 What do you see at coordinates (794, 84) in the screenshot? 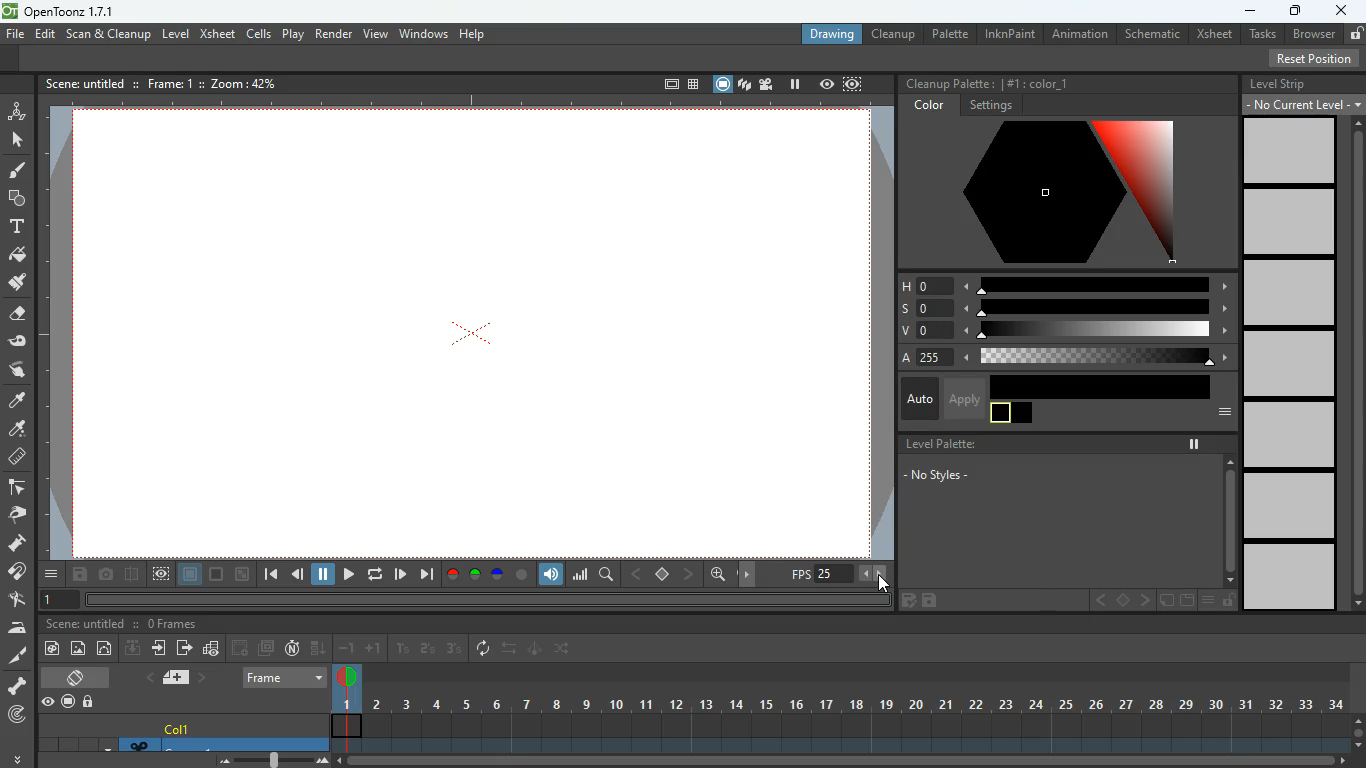
I see `pause` at bounding box center [794, 84].